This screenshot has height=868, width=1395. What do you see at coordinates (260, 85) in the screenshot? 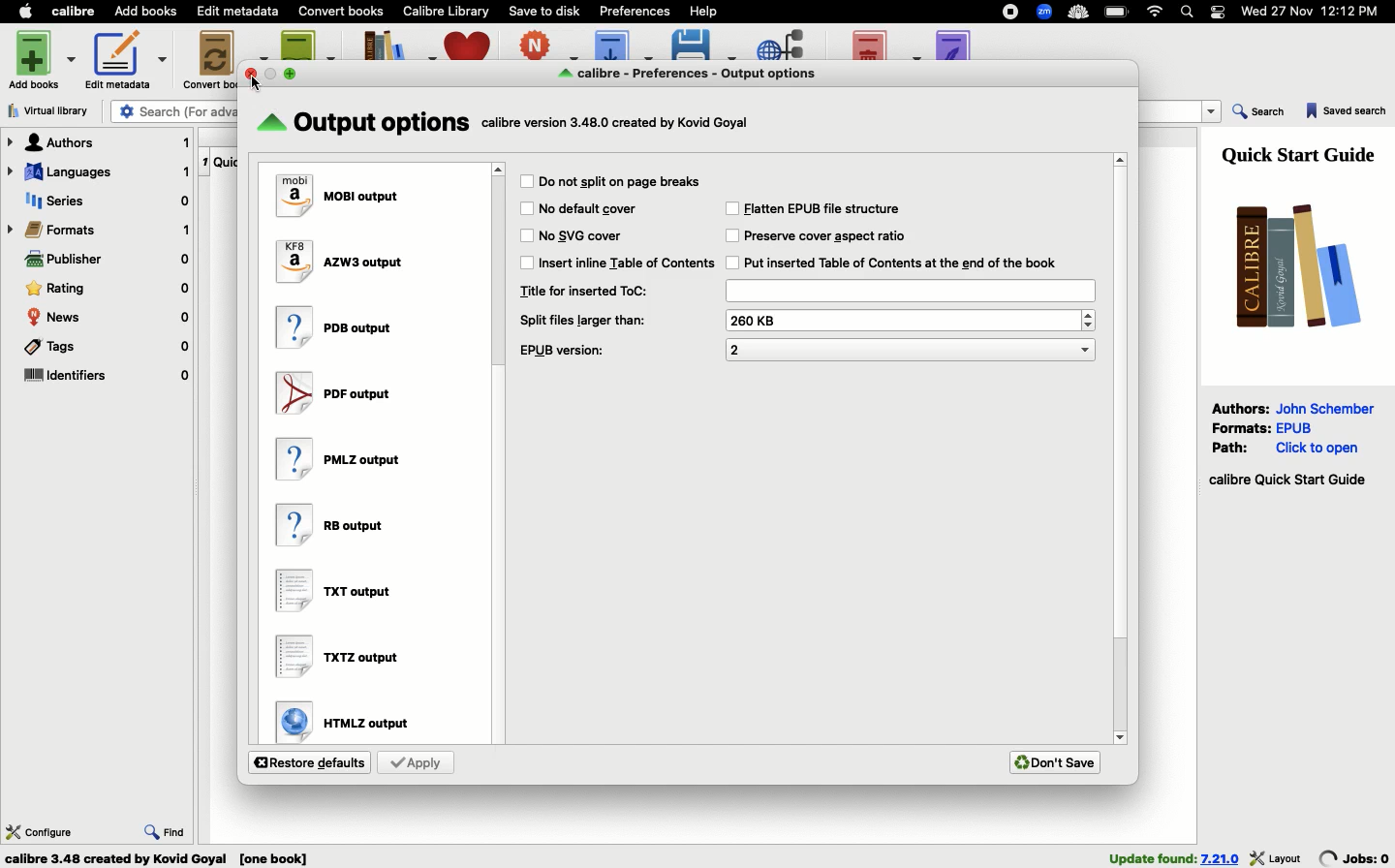
I see `cursor` at bounding box center [260, 85].